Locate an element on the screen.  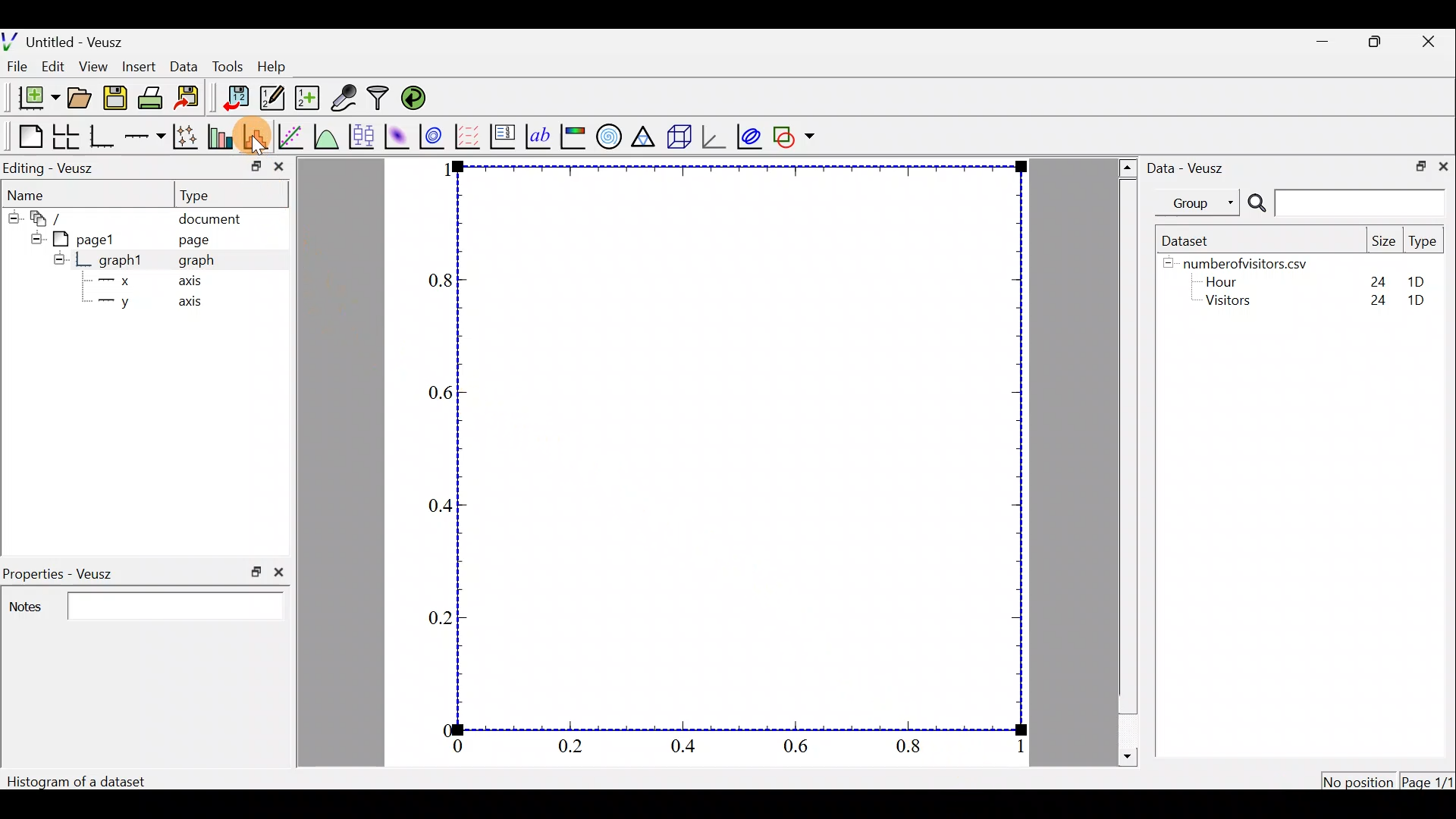
polar graph is located at coordinates (610, 138).